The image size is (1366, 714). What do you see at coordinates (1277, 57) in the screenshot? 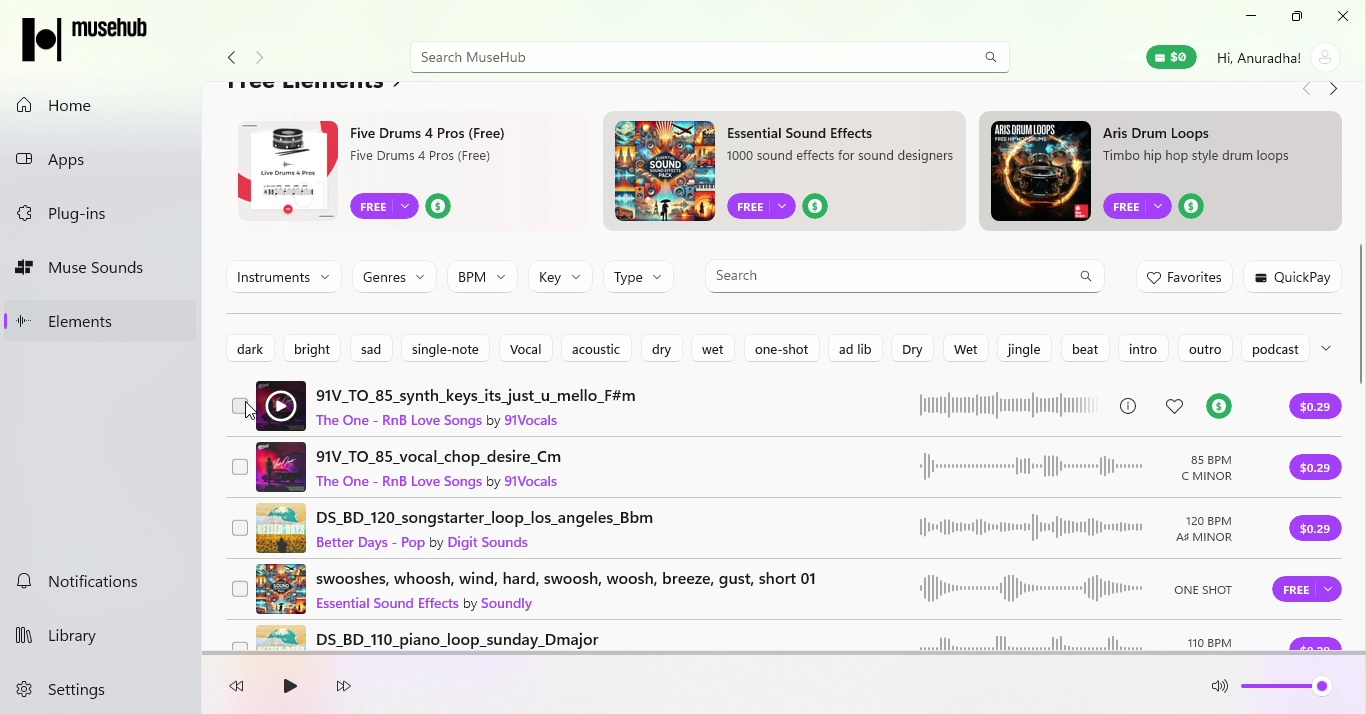
I see `Account` at bounding box center [1277, 57].